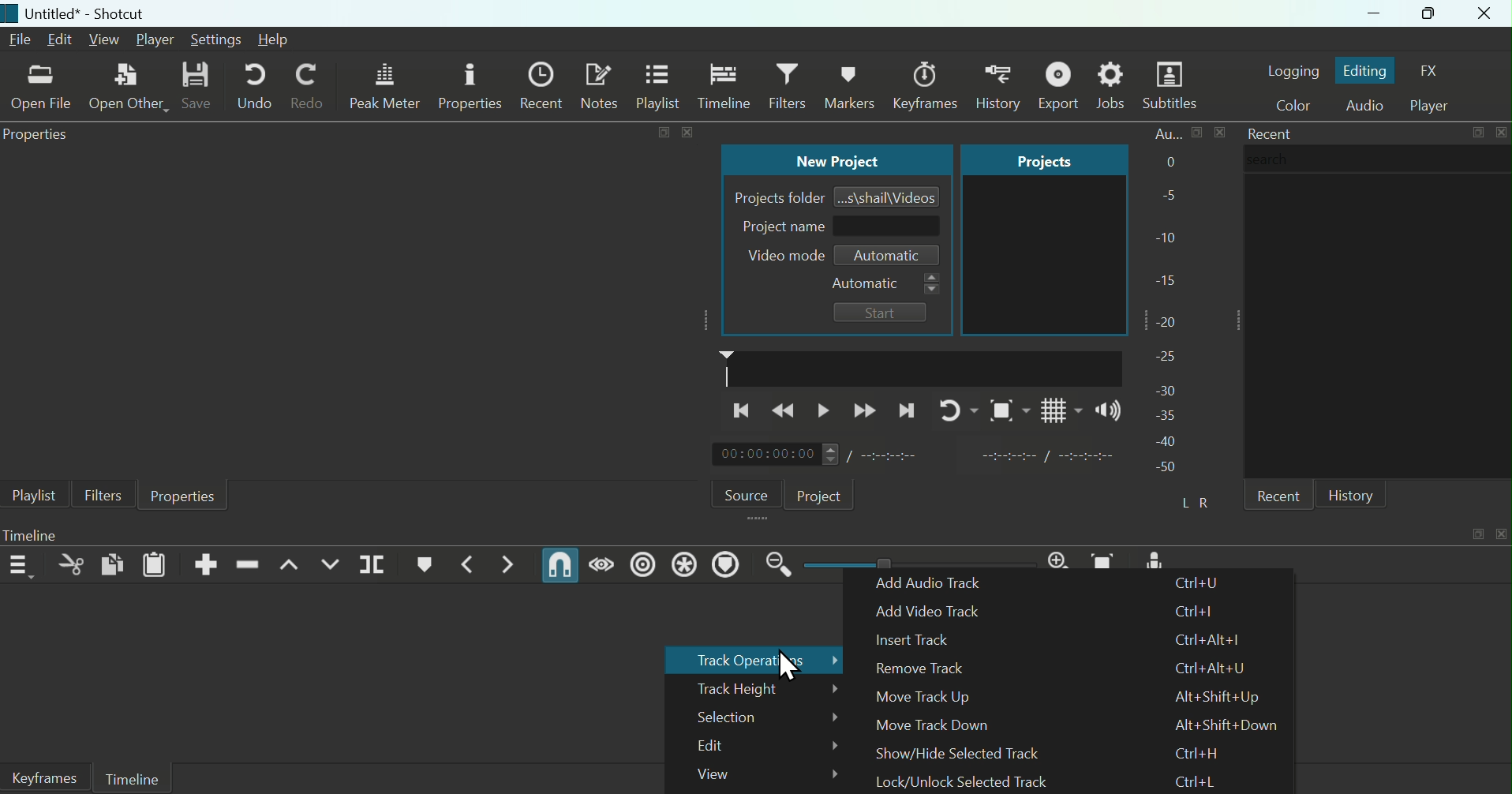 The width and height of the screenshot is (1512, 794). I want to click on -5, so click(1166, 197).